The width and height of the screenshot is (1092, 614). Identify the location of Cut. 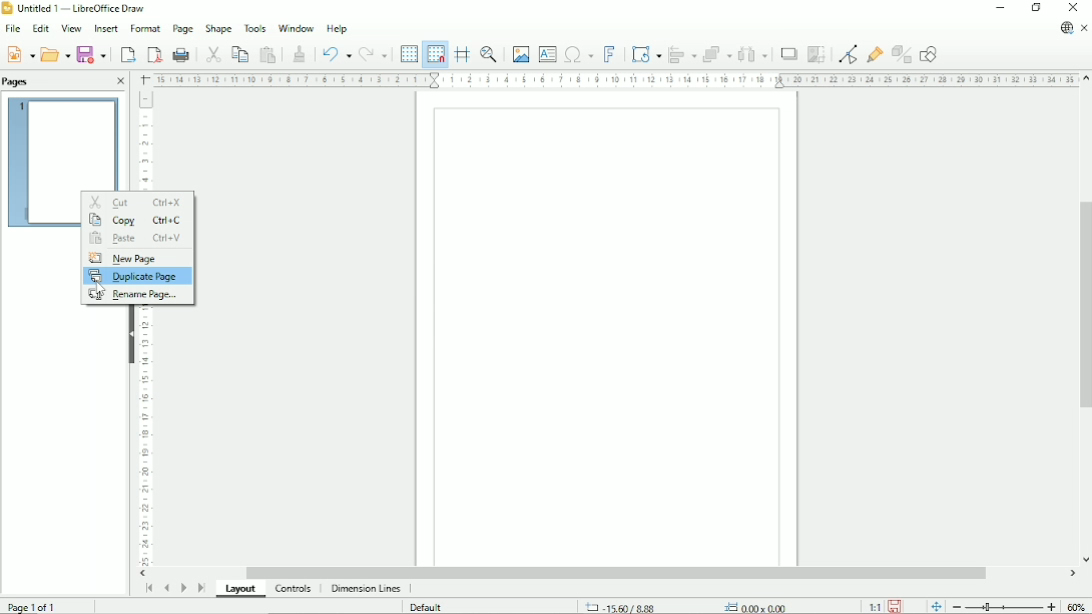
(212, 53).